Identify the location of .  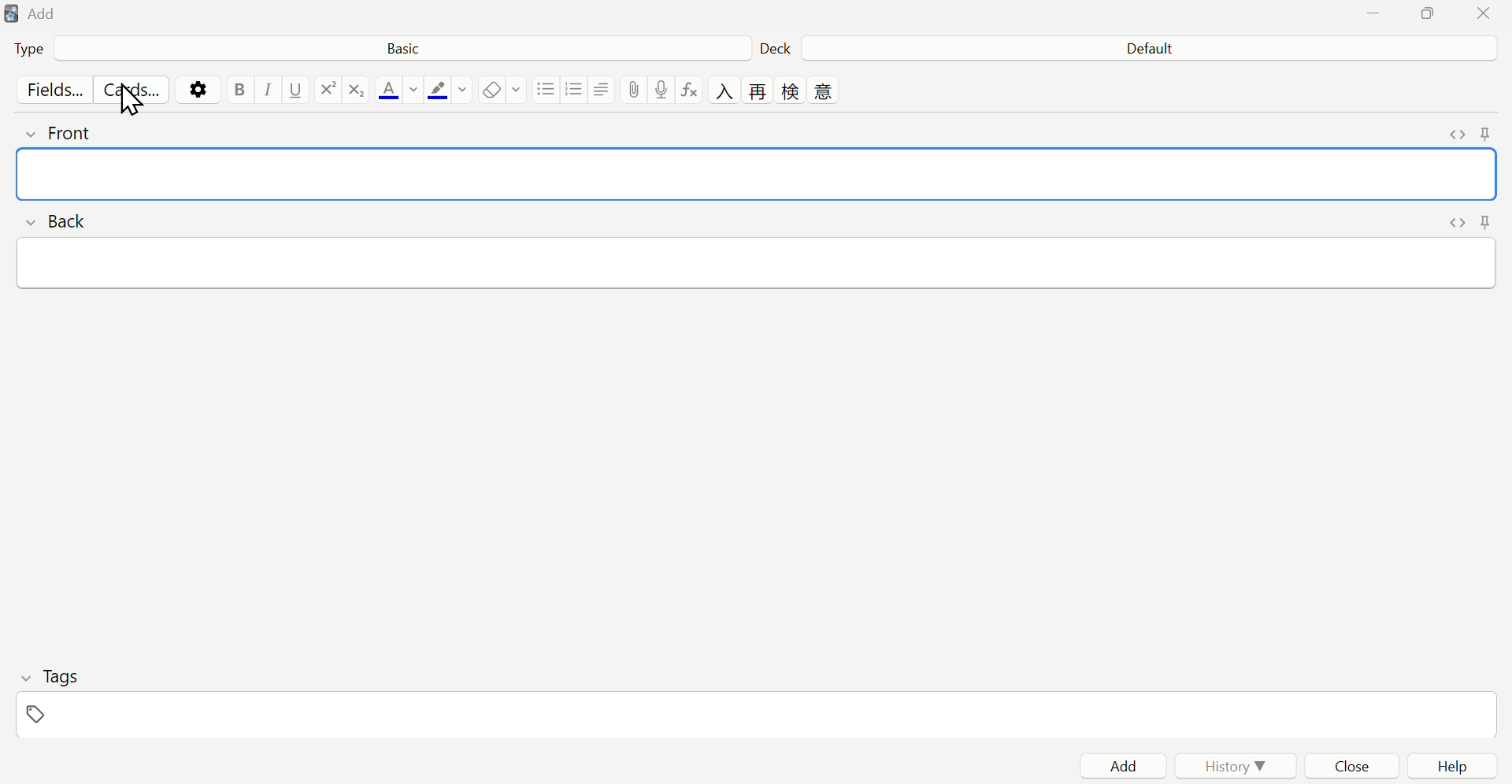
(1138, 47).